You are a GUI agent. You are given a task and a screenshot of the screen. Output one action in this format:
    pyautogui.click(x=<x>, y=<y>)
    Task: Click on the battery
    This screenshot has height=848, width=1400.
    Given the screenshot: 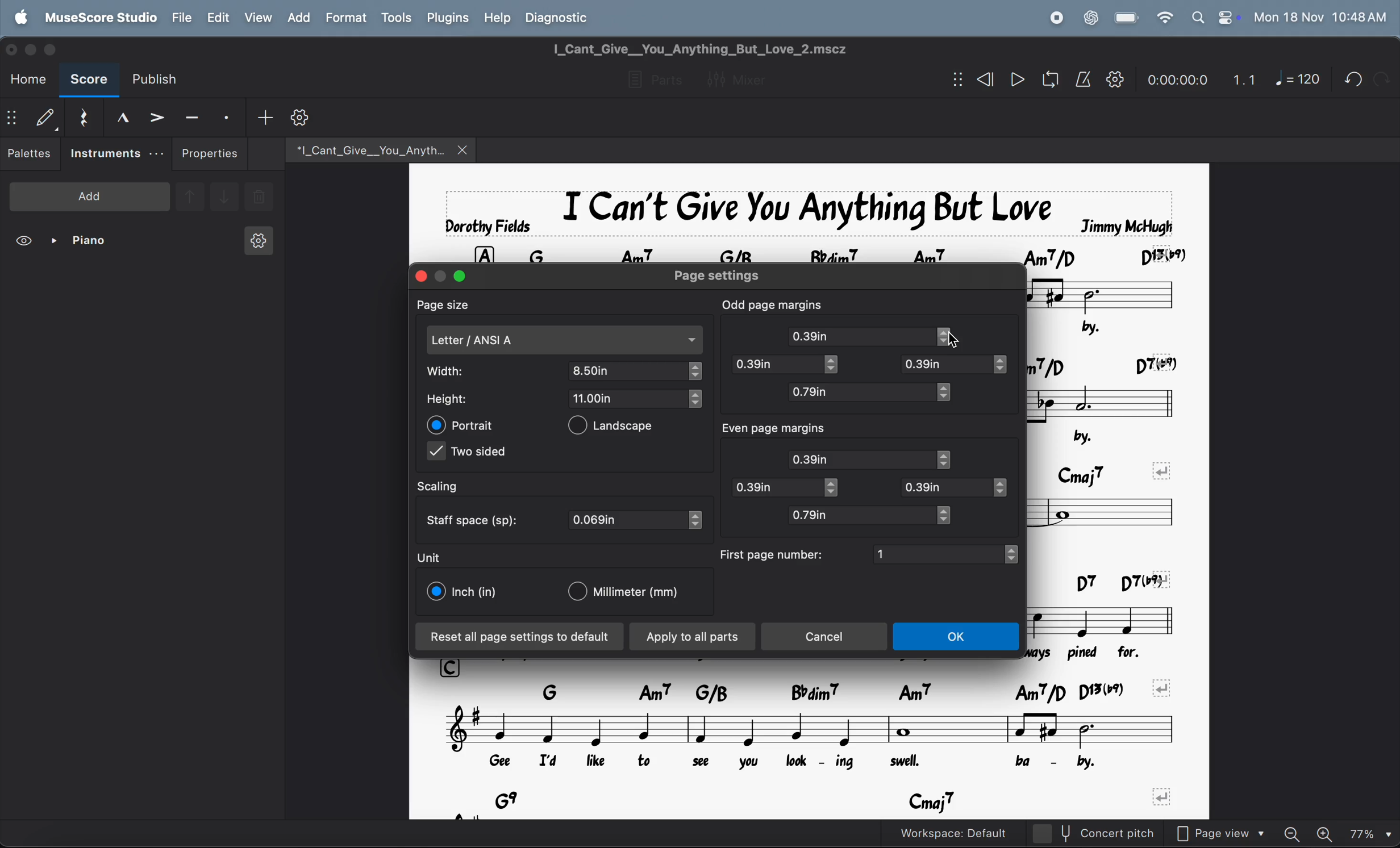 What is the action you would take?
    pyautogui.click(x=1127, y=18)
    